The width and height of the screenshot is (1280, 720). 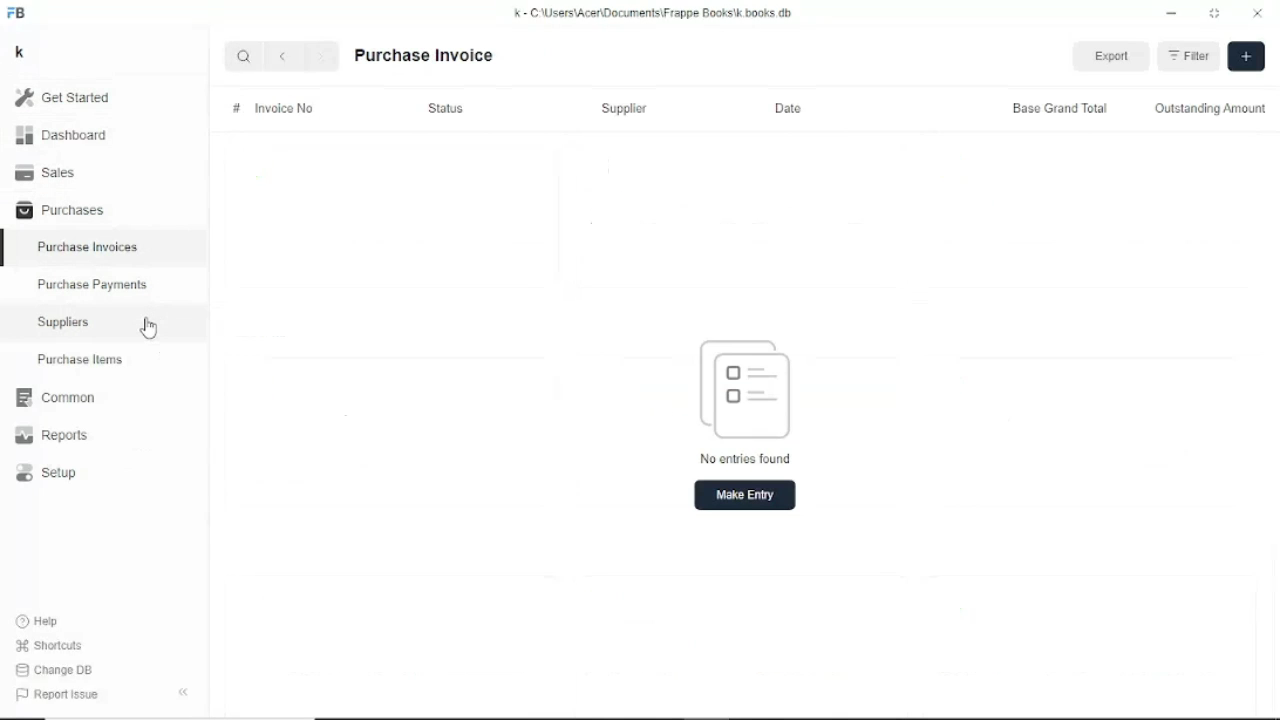 I want to click on Common, so click(x=55, y=398).